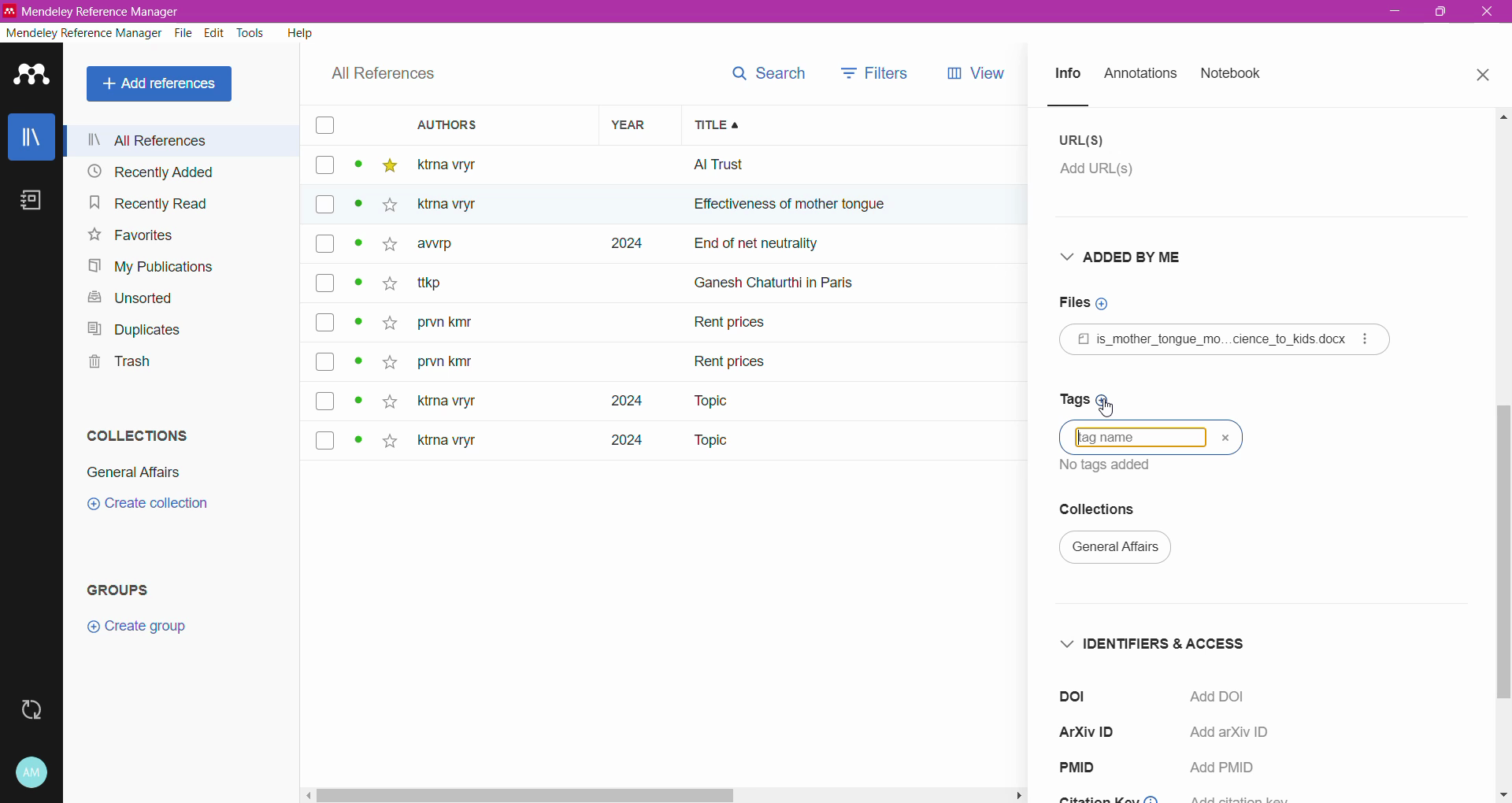 This screenshot has height=803, width=1512. I want to click on Groups, so click(121, 590).